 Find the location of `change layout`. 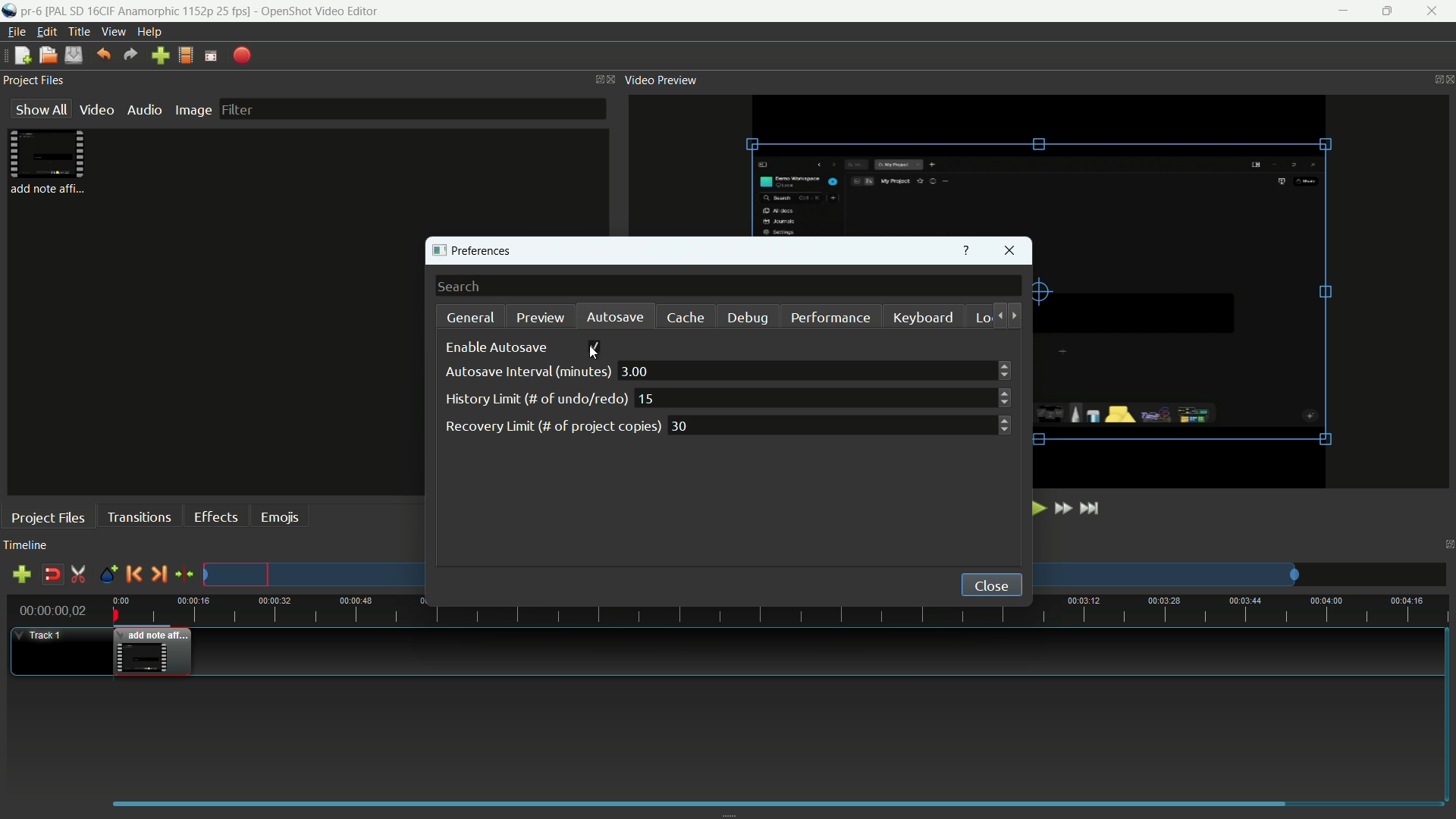

change layout is located at coordinates (597, 79).